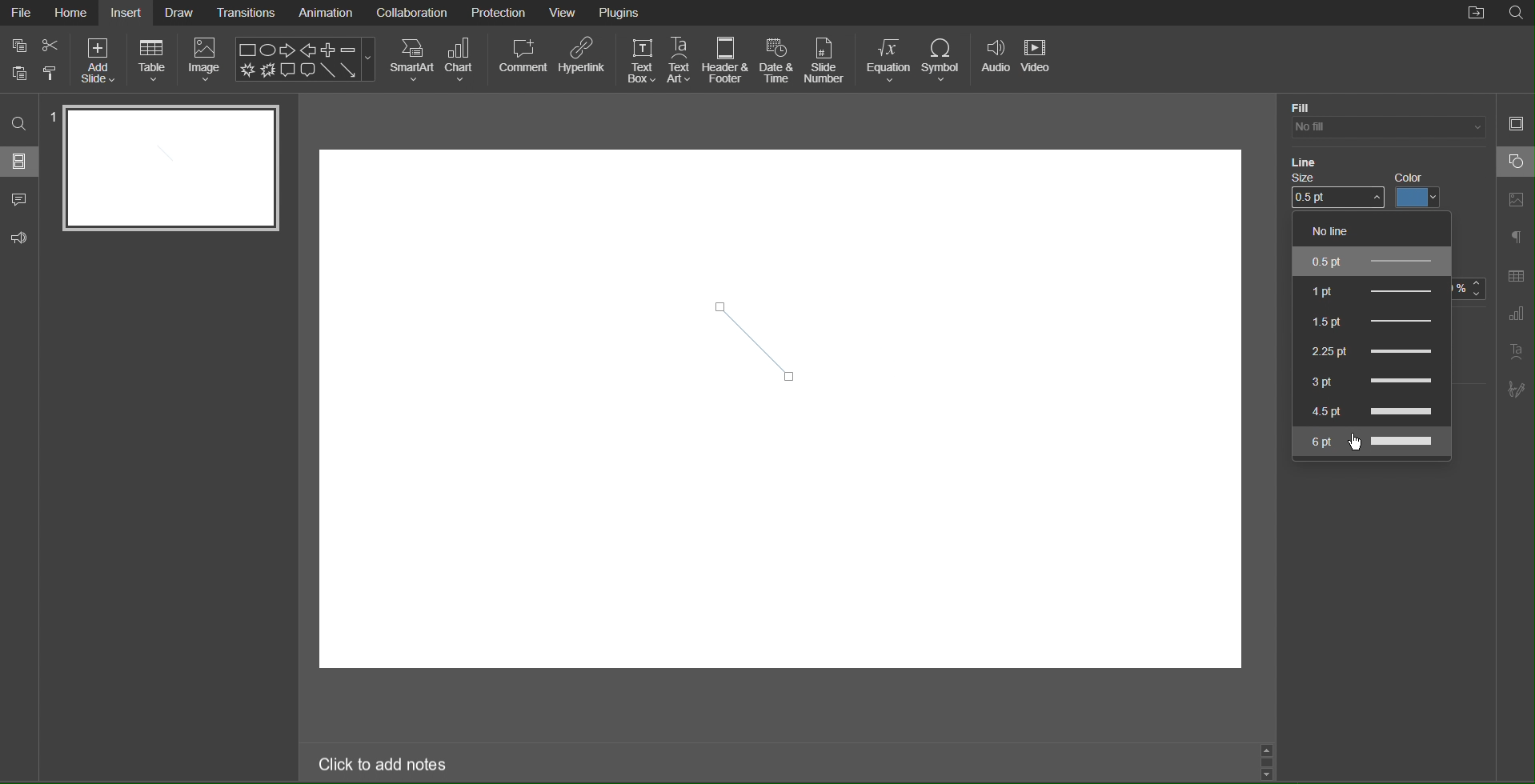 This screenshot has width=1535, height=784. What do you see at coordinates (1517, 238) in the screenshot?
I see `Paragraph Settings` at bounding box center [1517, 238].